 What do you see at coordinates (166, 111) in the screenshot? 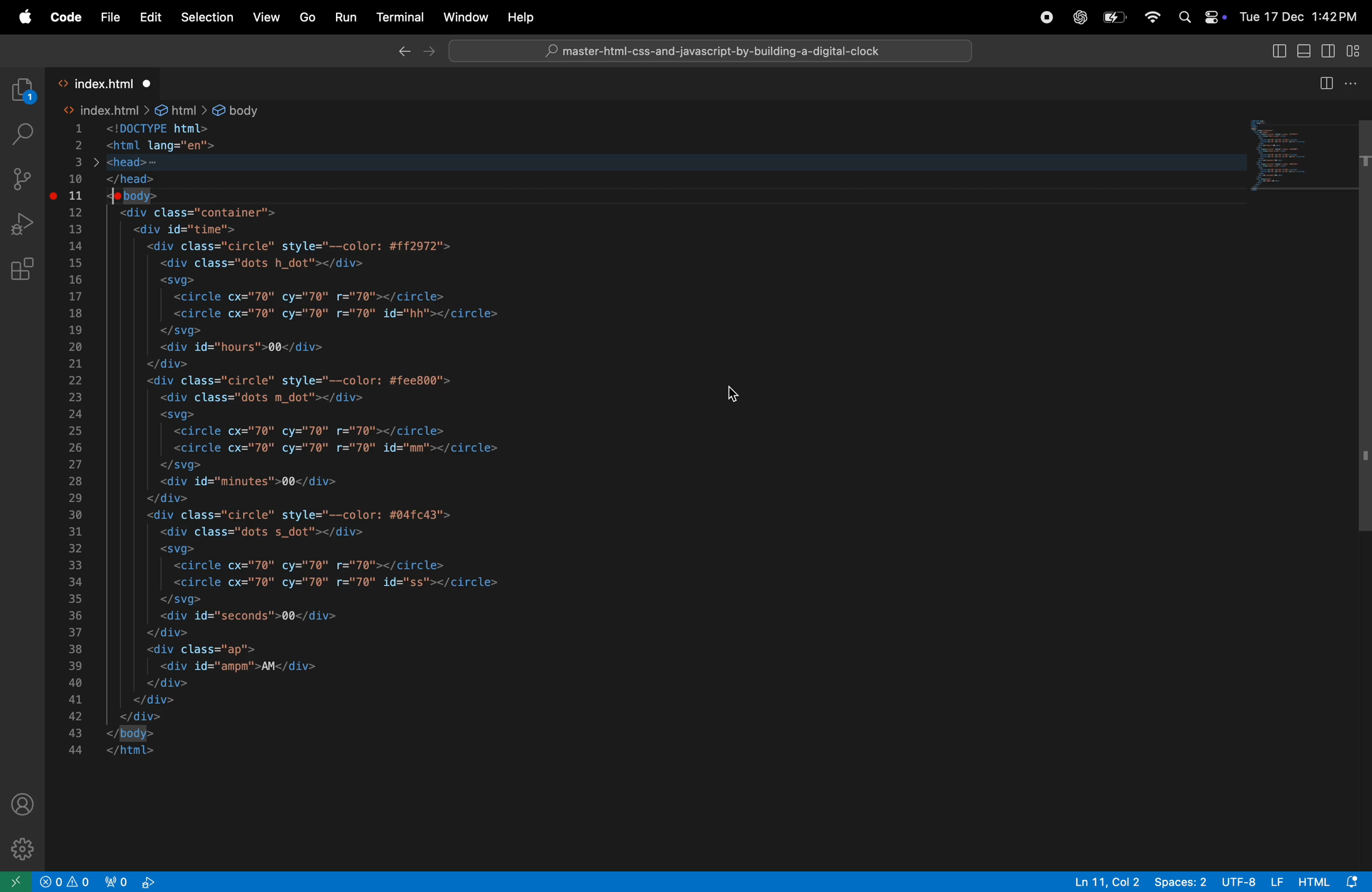
I see `> index.html > &@ html > & body` at bounding box center [166, 111].